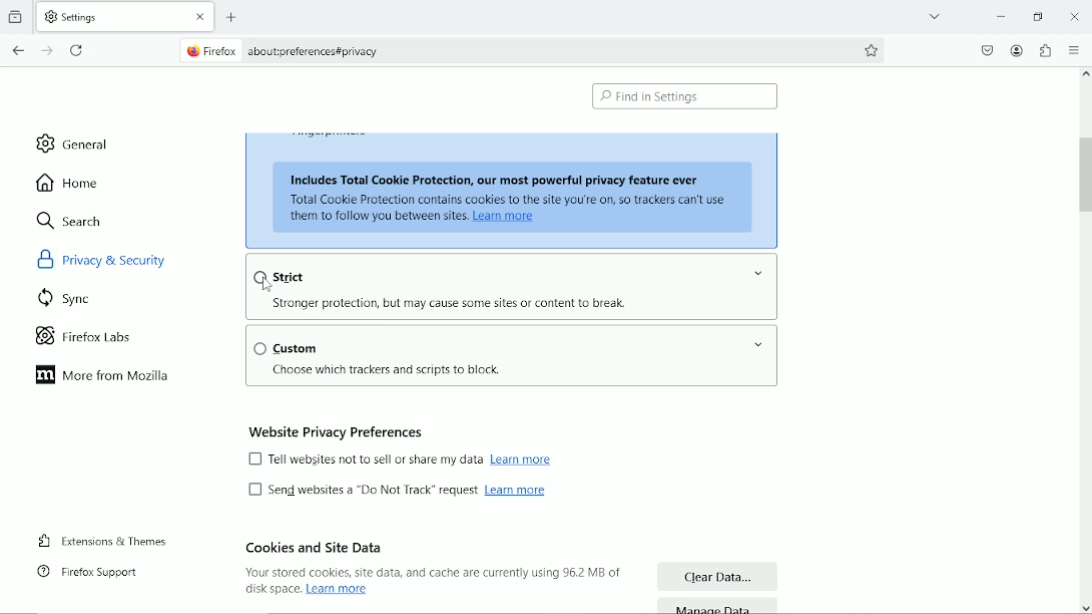 Image resolution: width=1092 pixels, height=614 pixels. Describe the element at coordinates (111, 258) in the screenshot. I see `privacy & security` at that location.